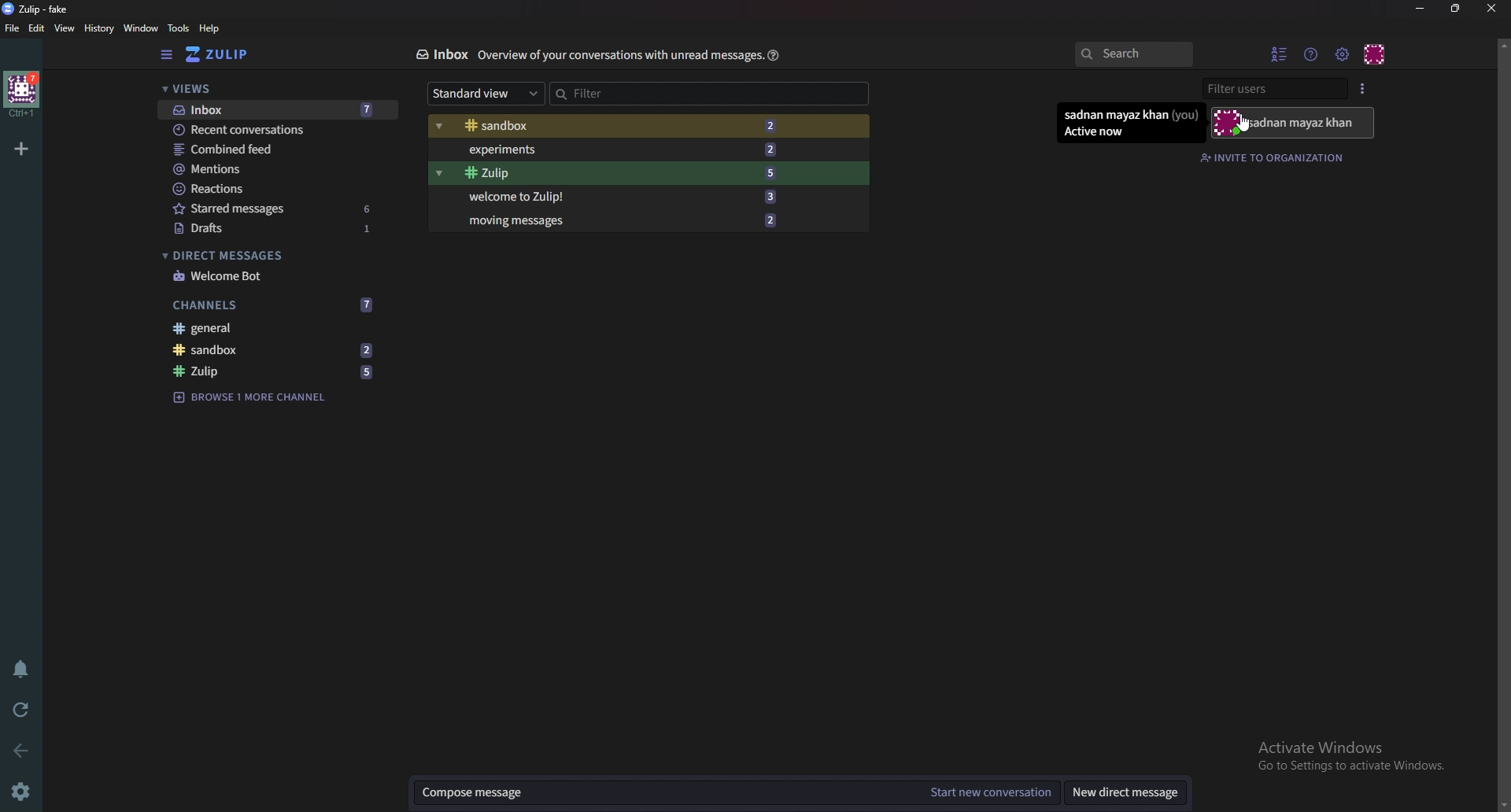 The image size is (1511, 812). I want to click on Standard view, so click(487, 94).